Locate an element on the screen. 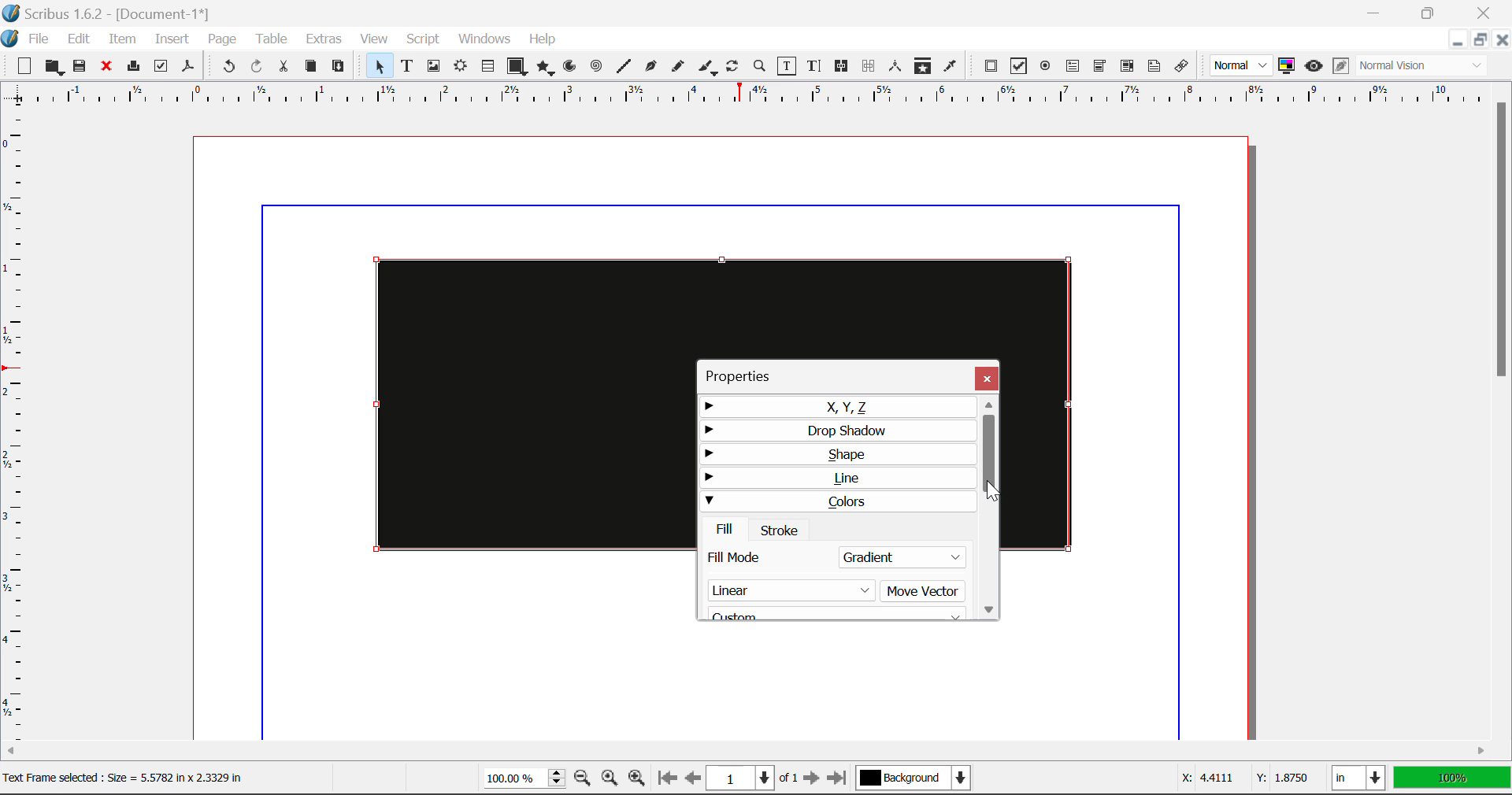 Image resolution: width=1512 pixels, height=795 pixels. Shapes is located at coordinates (517, 68).